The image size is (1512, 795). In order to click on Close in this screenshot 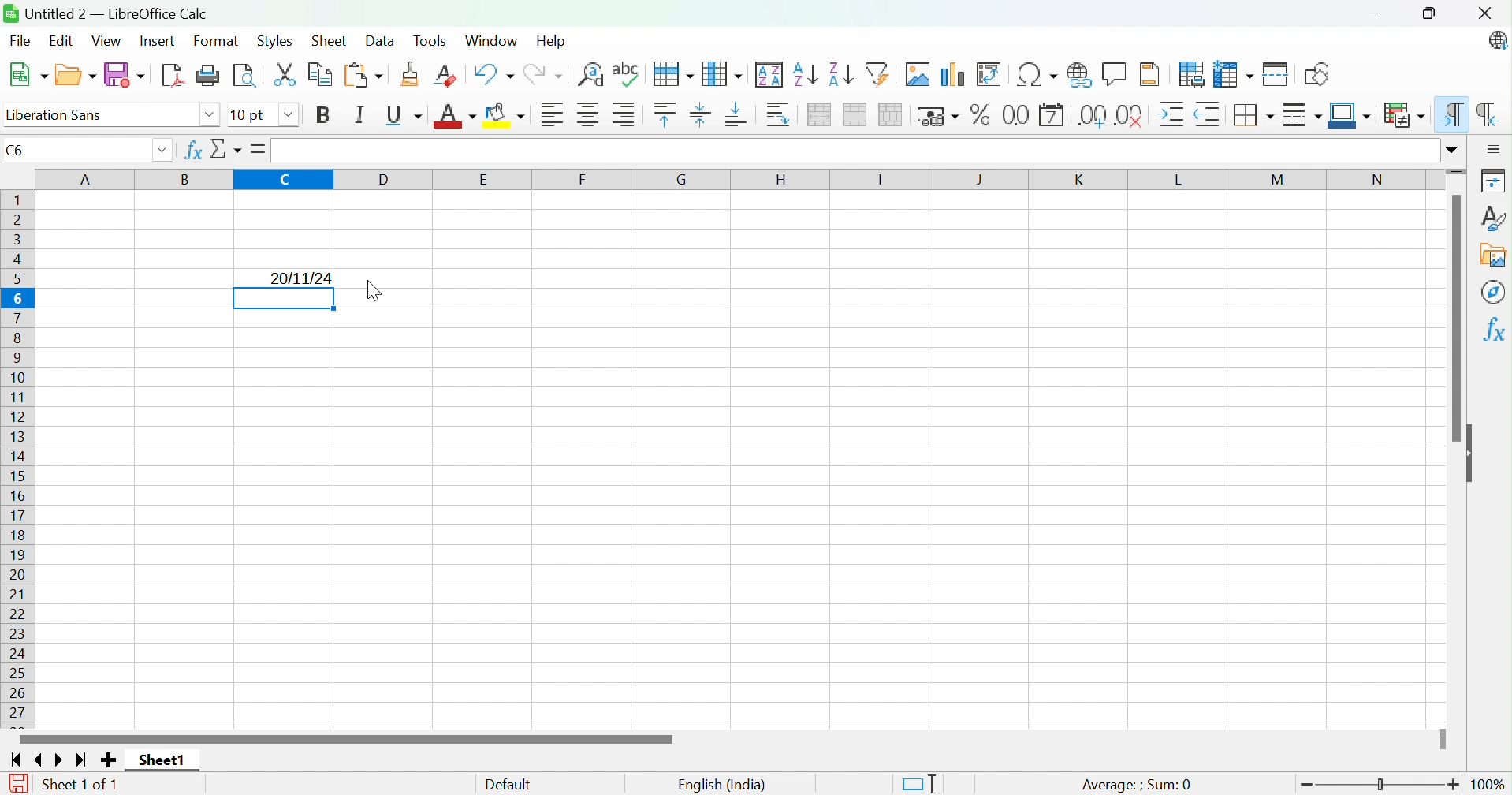, I will do `click(222, 149)`.